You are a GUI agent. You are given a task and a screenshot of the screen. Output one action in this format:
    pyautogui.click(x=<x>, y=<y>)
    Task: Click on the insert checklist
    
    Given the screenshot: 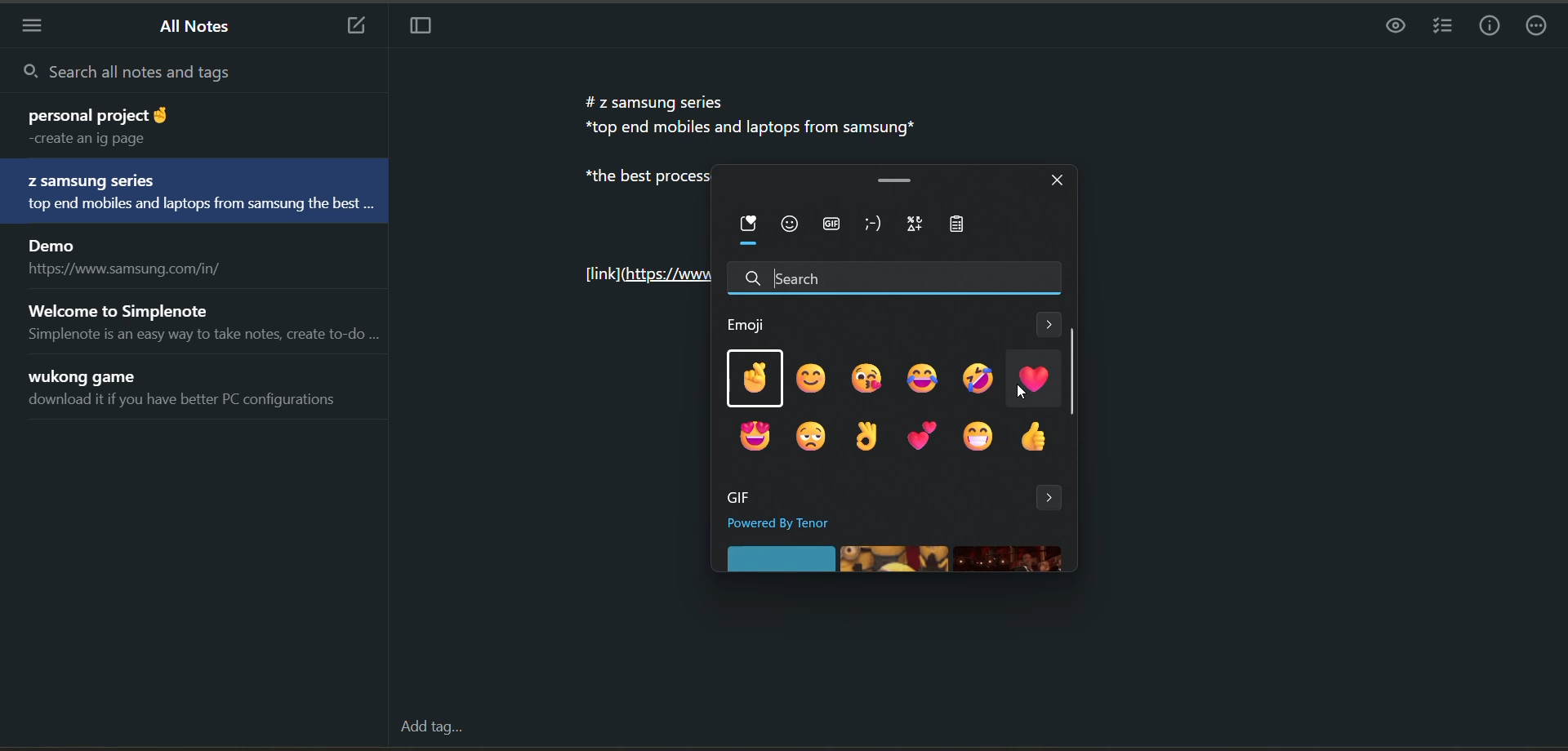 What is the action you would take?
    pyautogui.click(x=1440, y=26)
    